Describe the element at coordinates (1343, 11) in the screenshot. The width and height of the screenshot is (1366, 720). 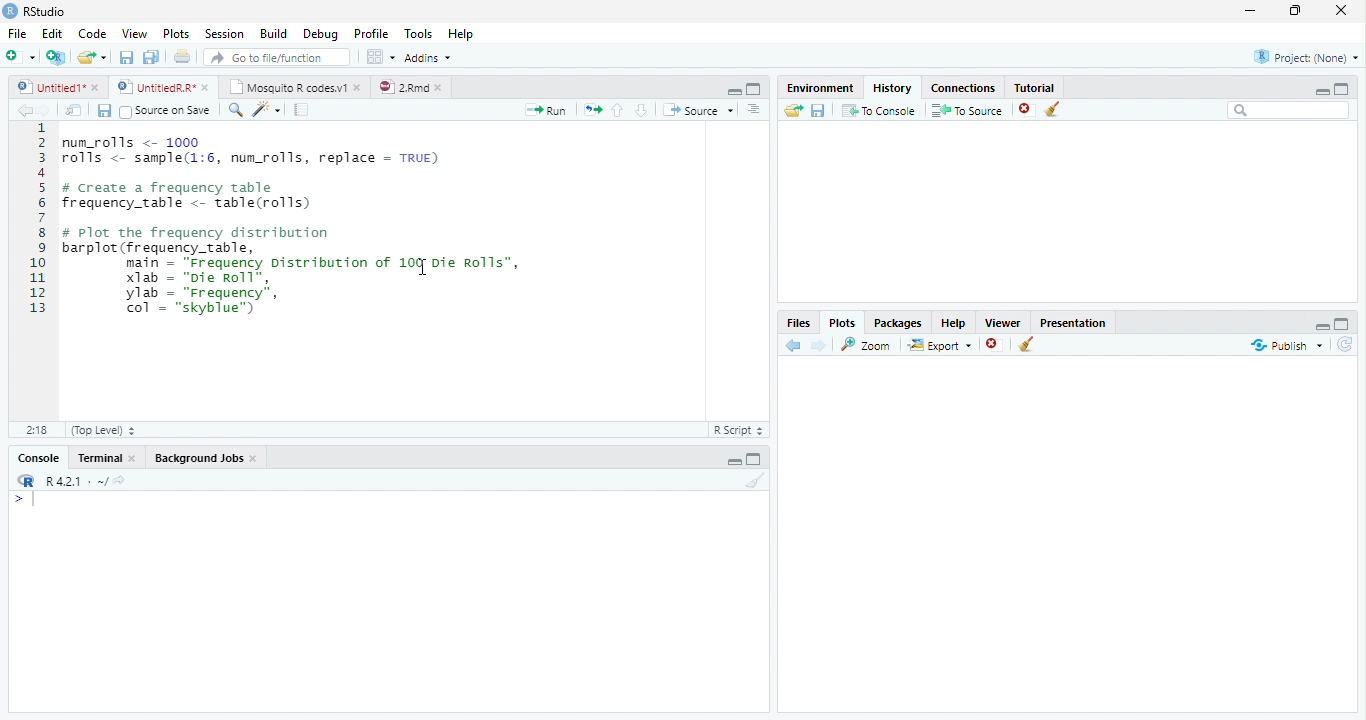
I see `Close` at that location.